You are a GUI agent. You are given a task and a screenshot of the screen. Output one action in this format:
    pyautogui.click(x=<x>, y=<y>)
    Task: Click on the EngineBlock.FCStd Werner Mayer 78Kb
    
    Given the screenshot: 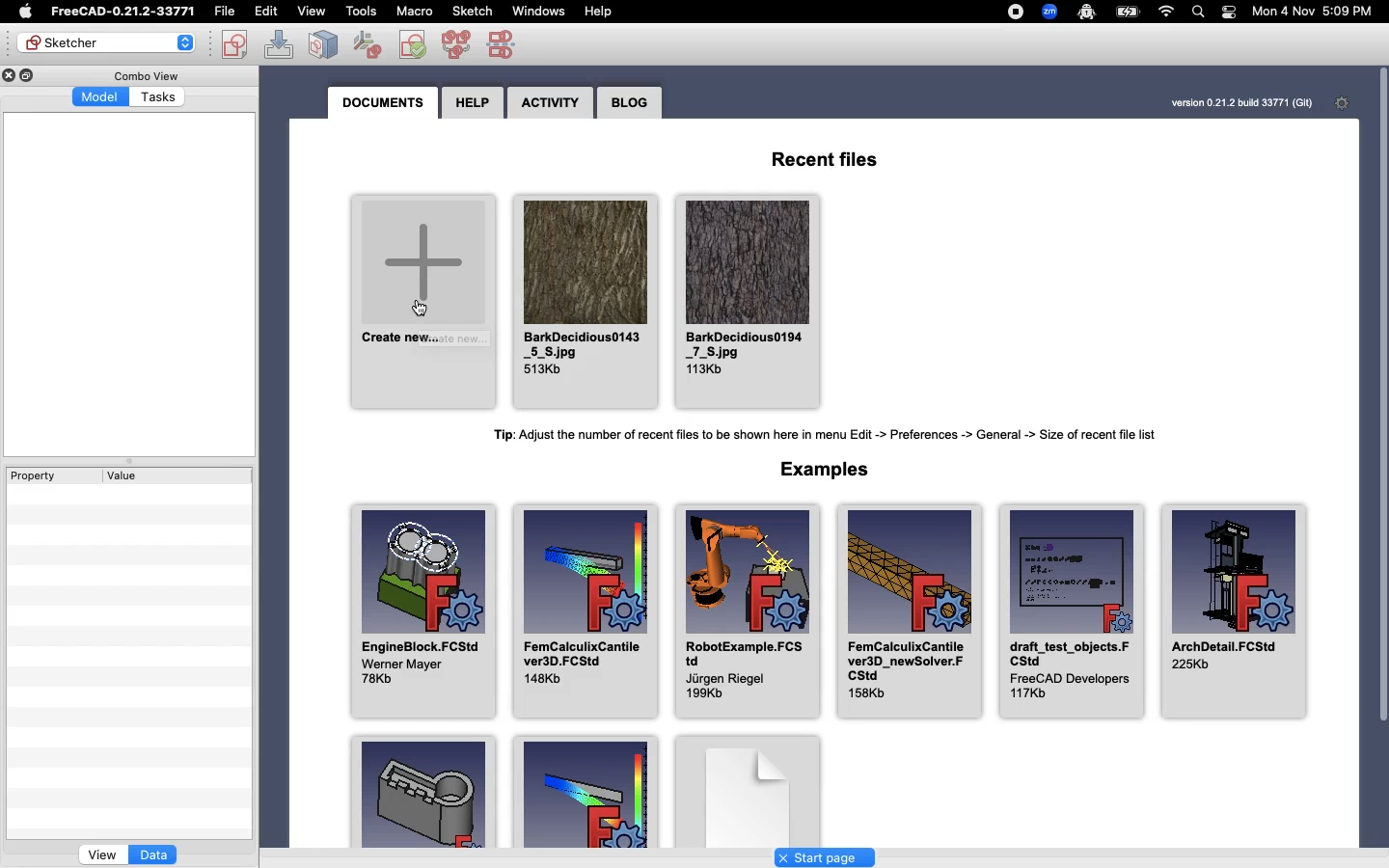 What is the action you would take?
    pyautogui.click(x=426, y=614)
    